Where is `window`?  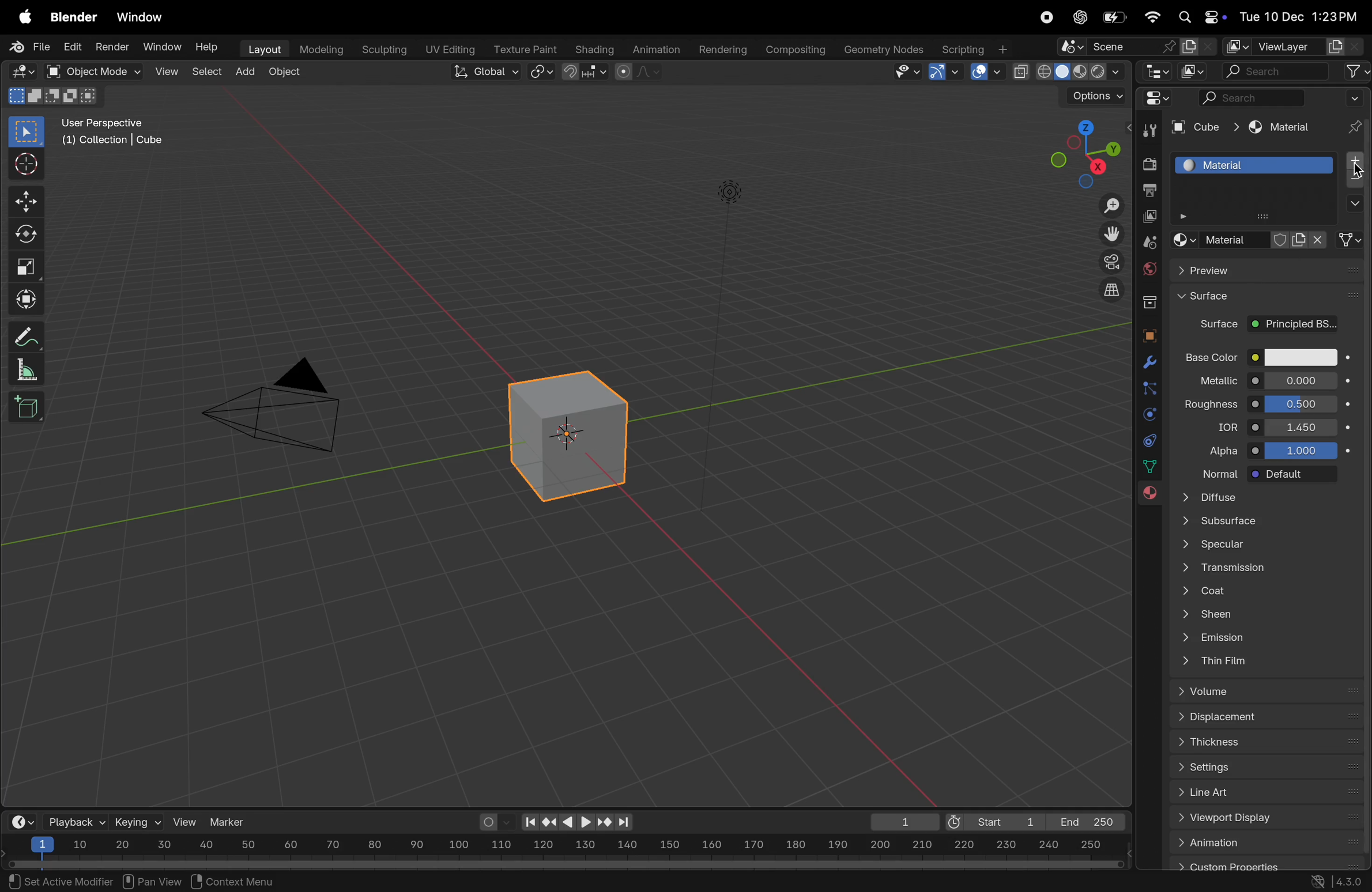 window is located at coordinates (144, 18).